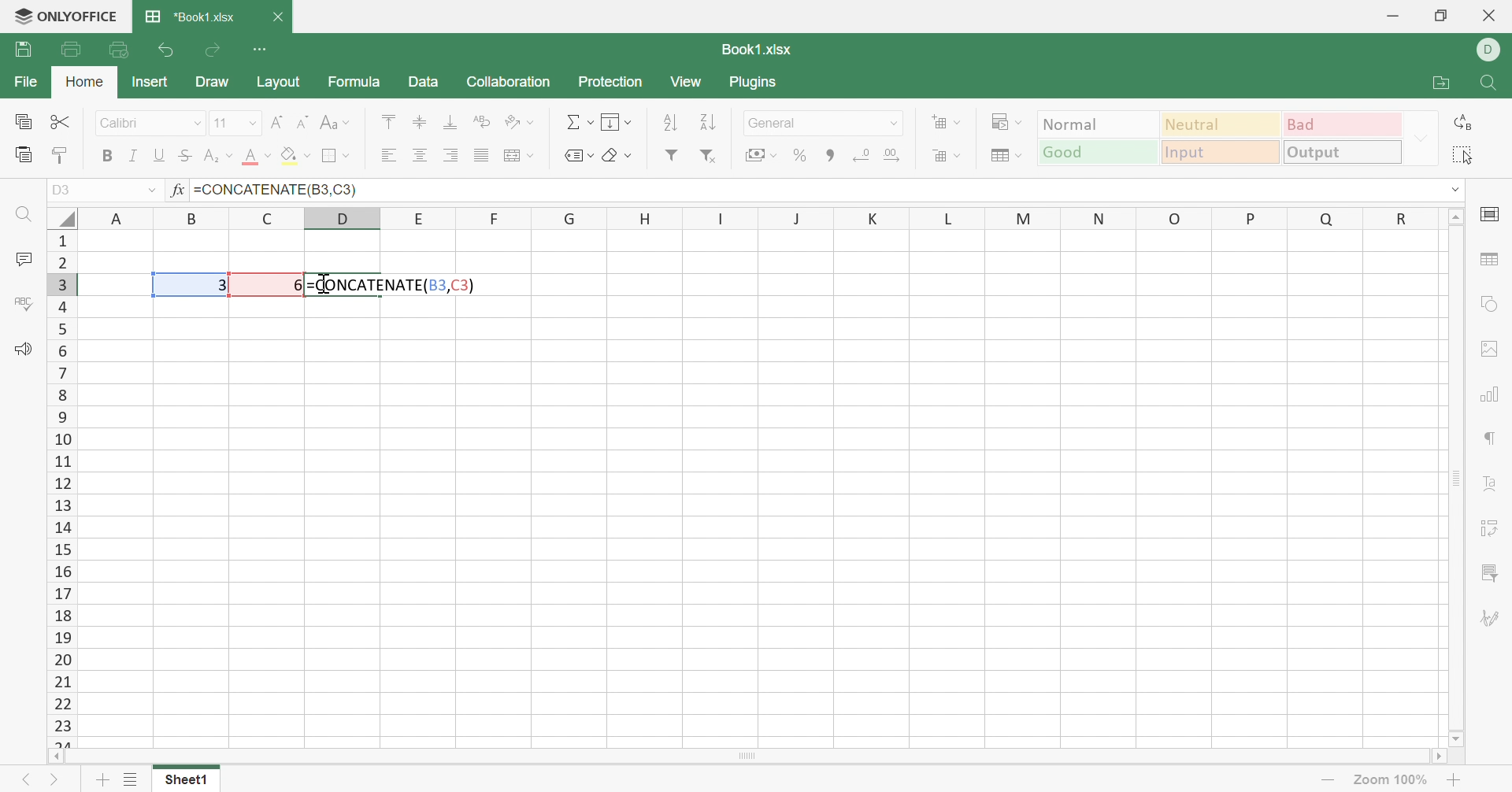 The height and width of the screenshot is (792, 1512). Describe the element at coordinates (1492, 620) in the screenshot. I see `Signature settings` at that location.